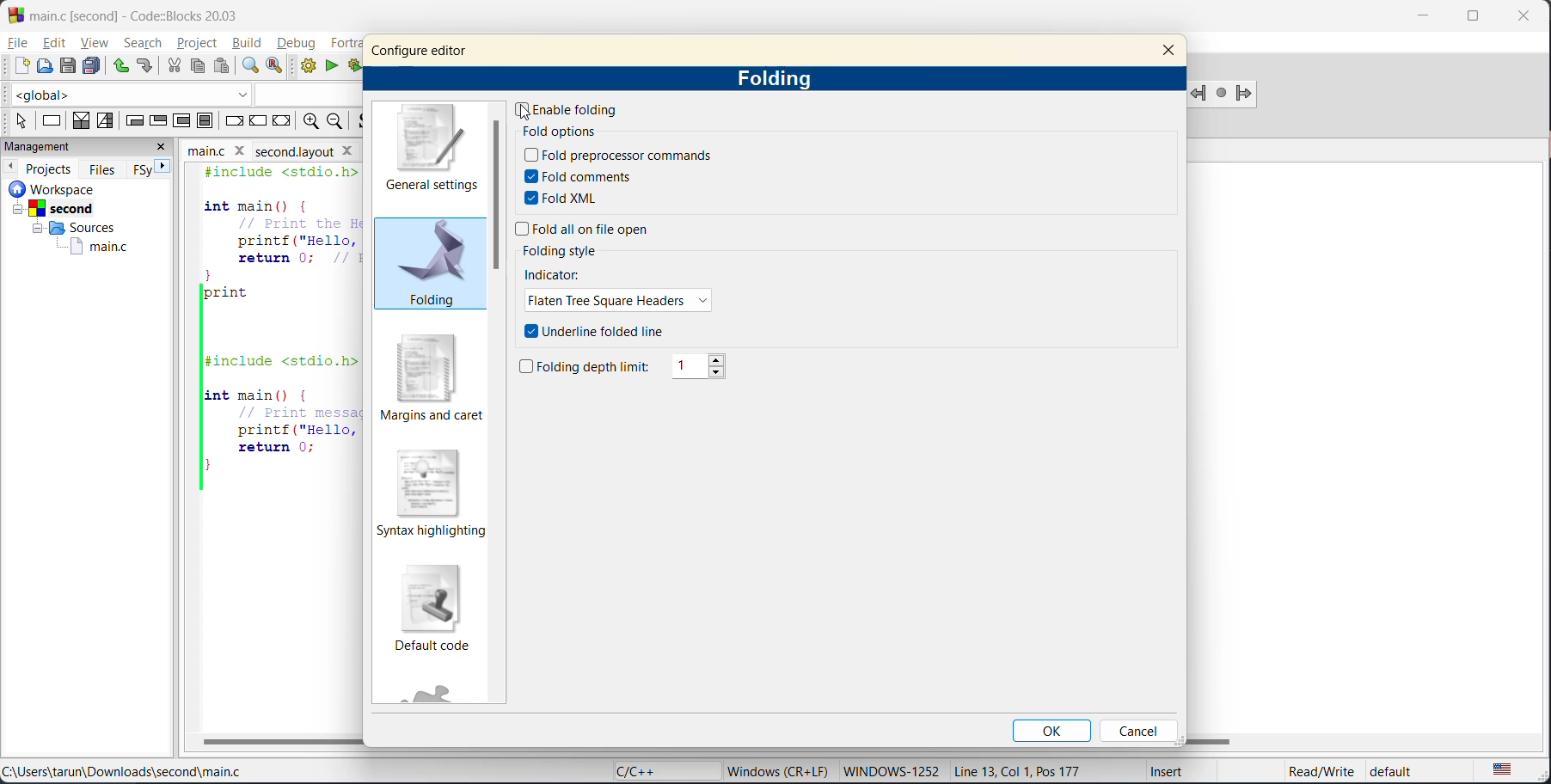  I want to click on indicator, so click(555, 274).